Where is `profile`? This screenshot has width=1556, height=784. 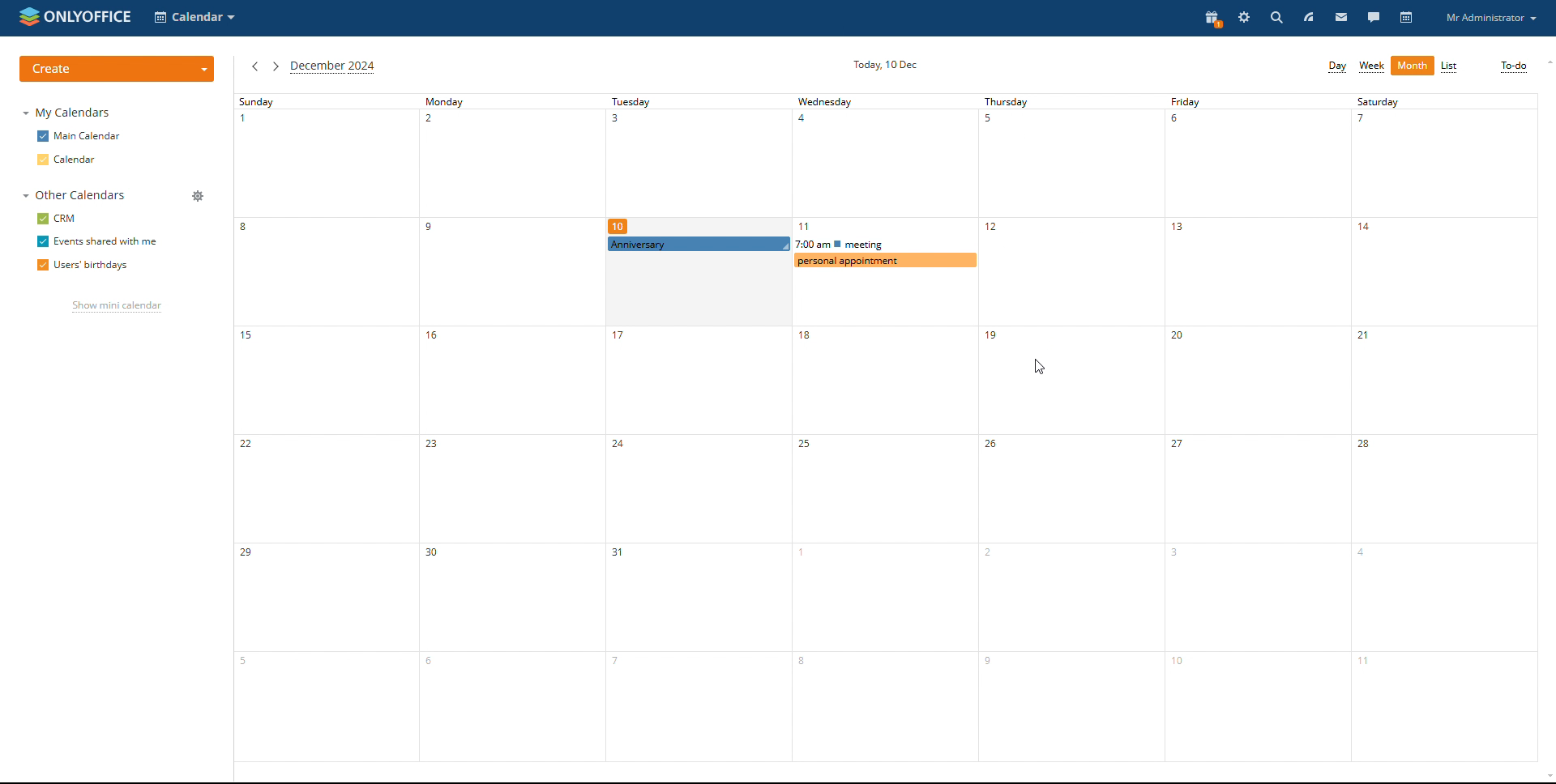 profile is located at coordinates (1493, 18).